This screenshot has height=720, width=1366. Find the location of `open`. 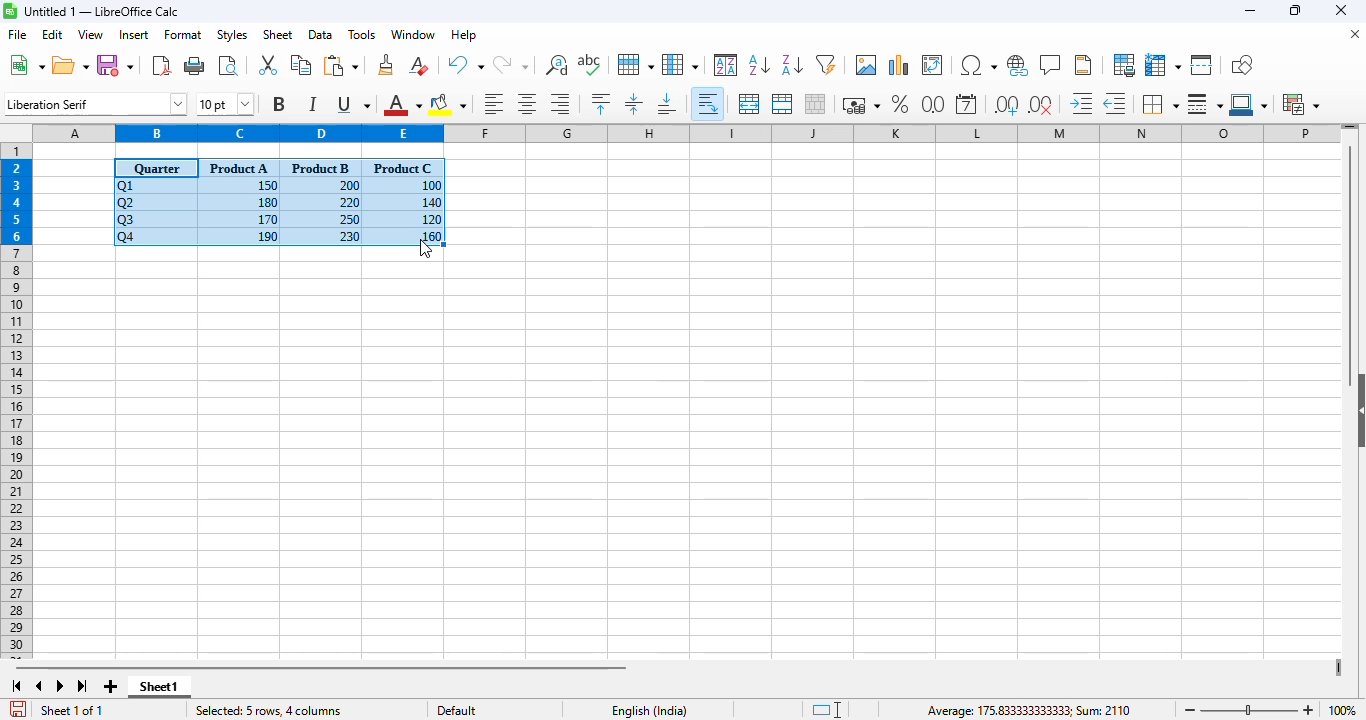

open is located at coordinates (70, 65).